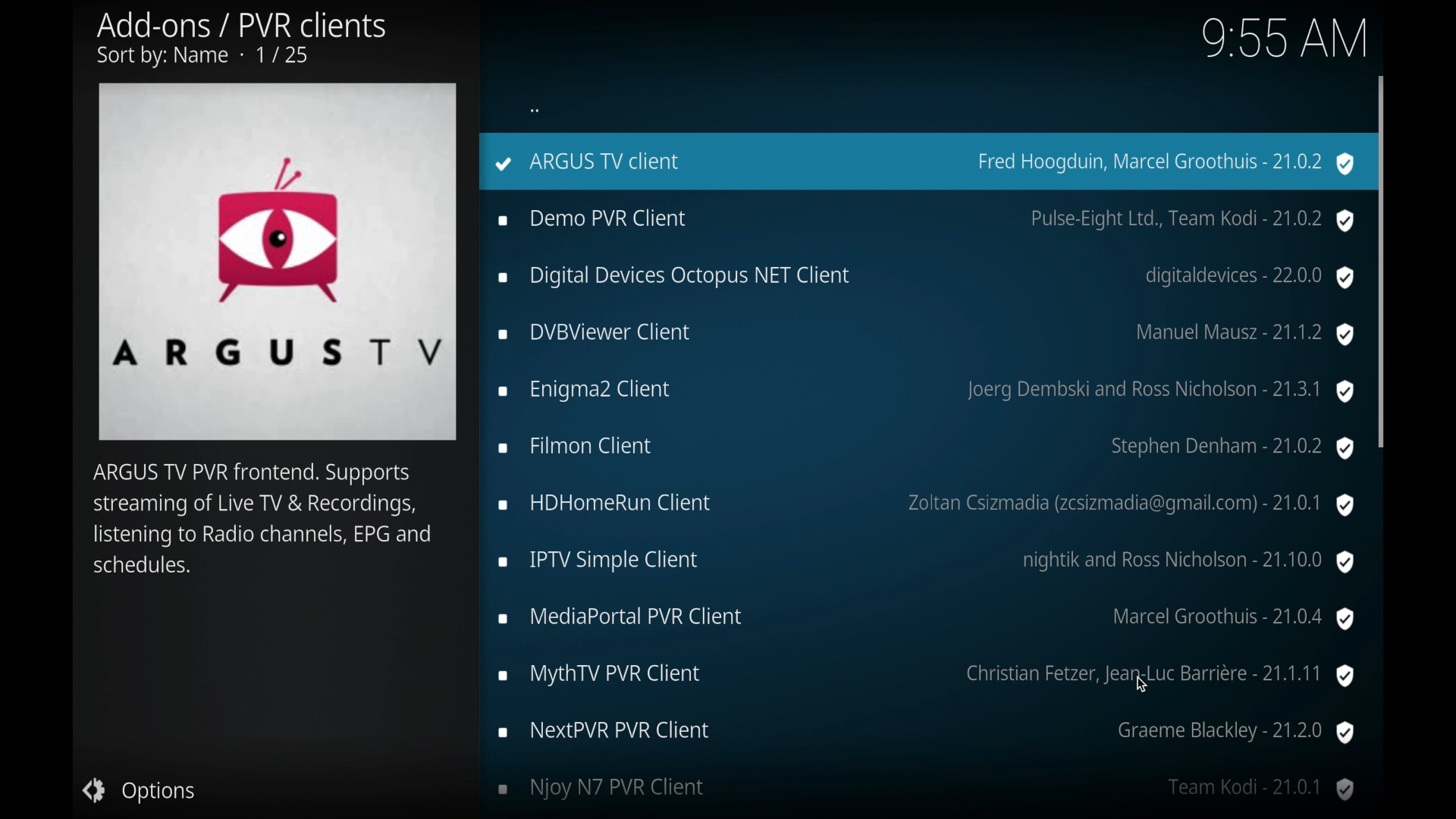  Describe the element at coordinates (924, 391) in the screenshot. I see `enigma2 client` at that location.